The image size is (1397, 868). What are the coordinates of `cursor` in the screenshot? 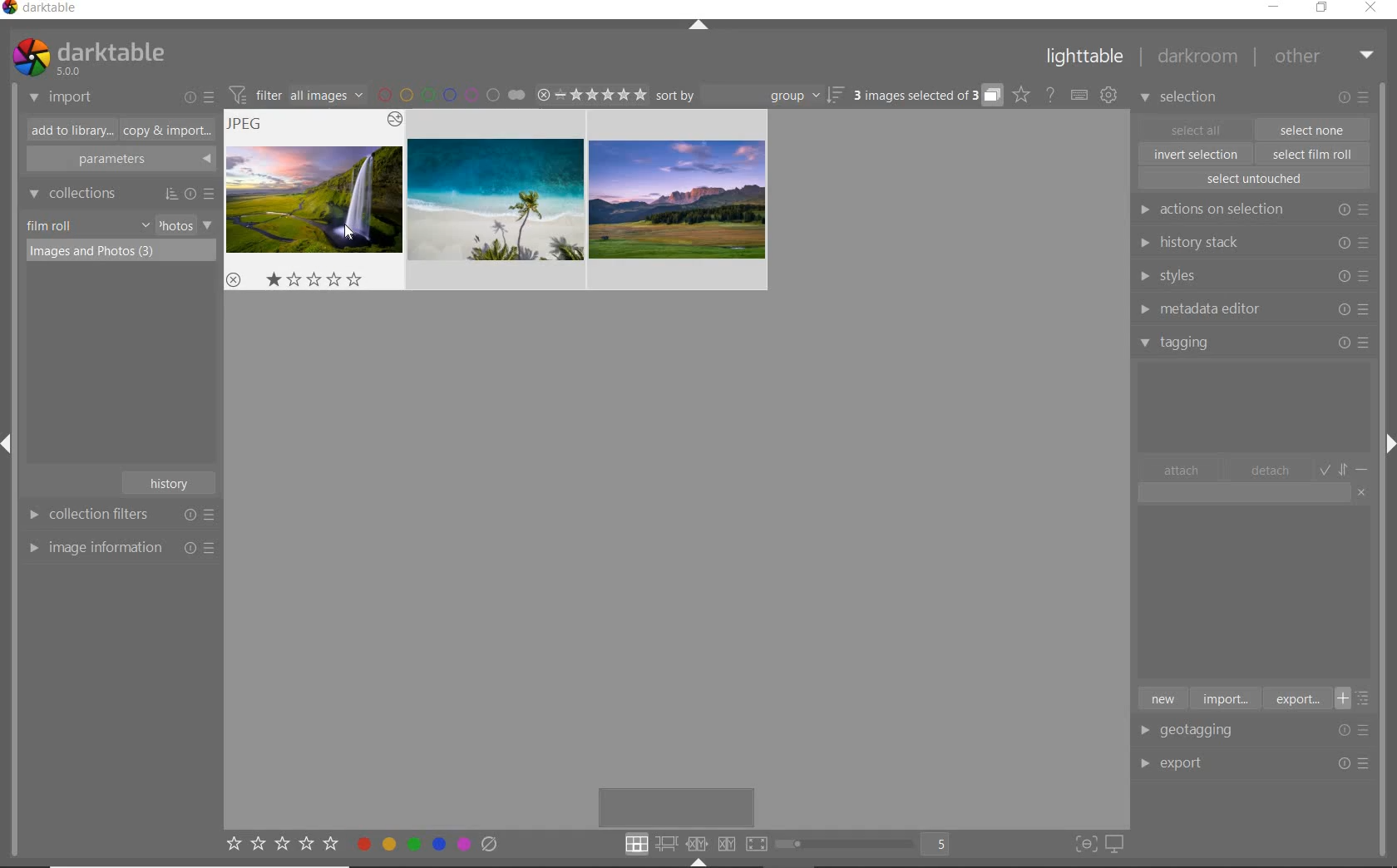 It's located at (345, 235).